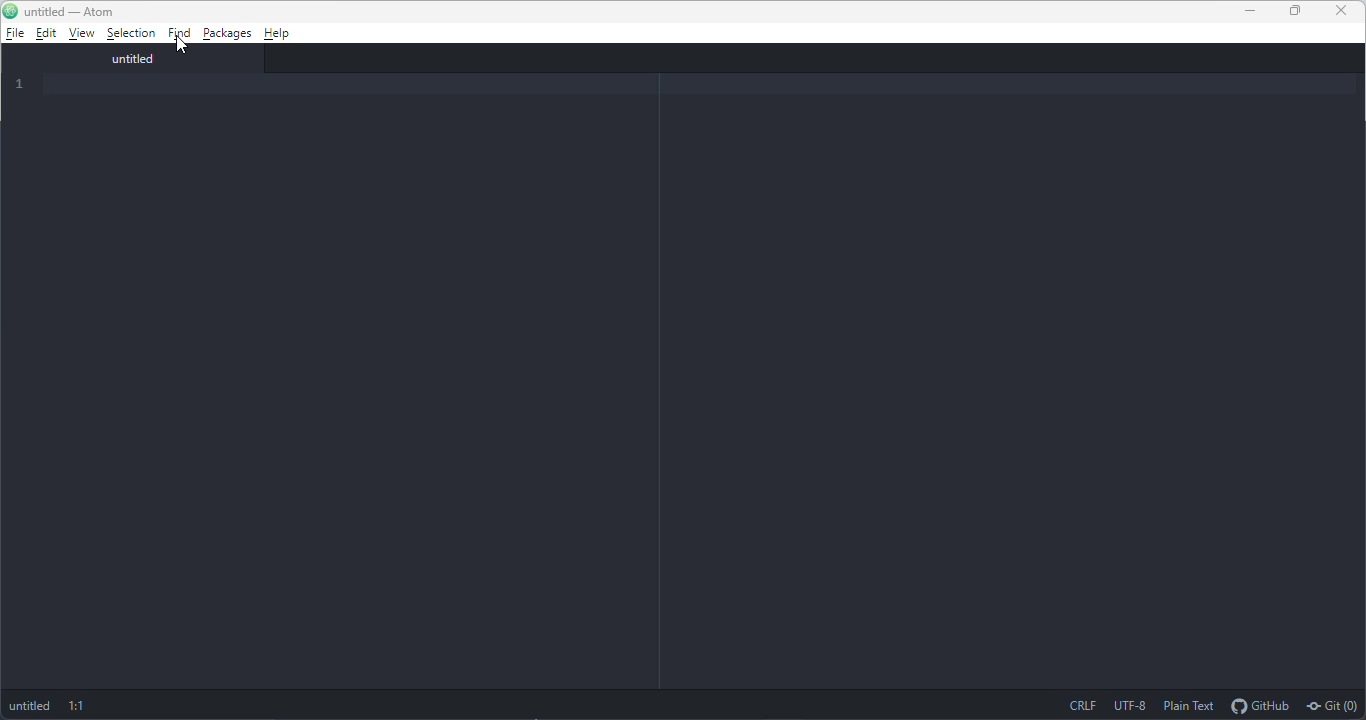 This screenshot has width=1366, height=720. Describe the element at coordinates (279, 34) in the screenshot. I see `help` at that location.